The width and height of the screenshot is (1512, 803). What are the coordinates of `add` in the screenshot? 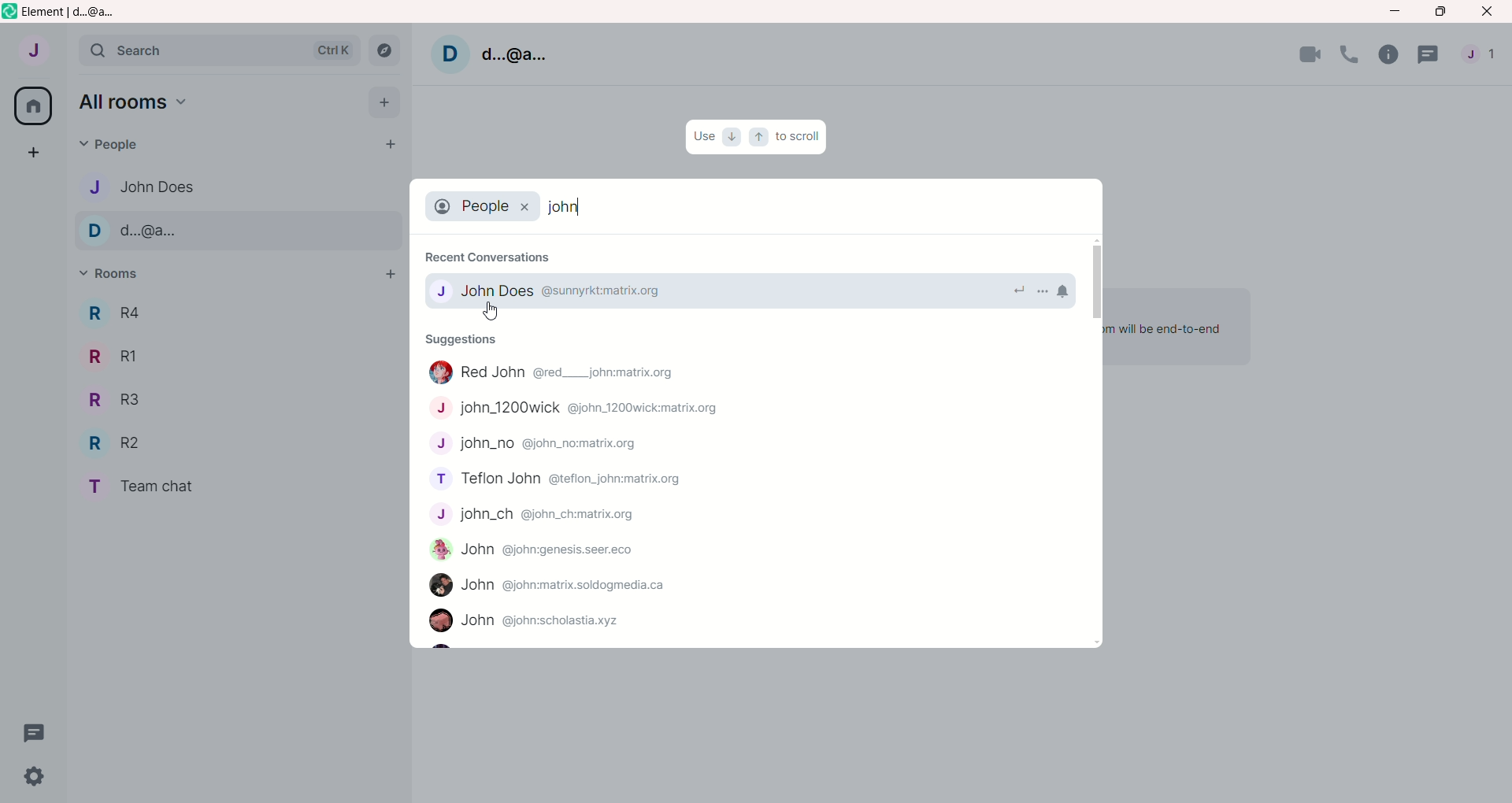 It's located at (386, 276).